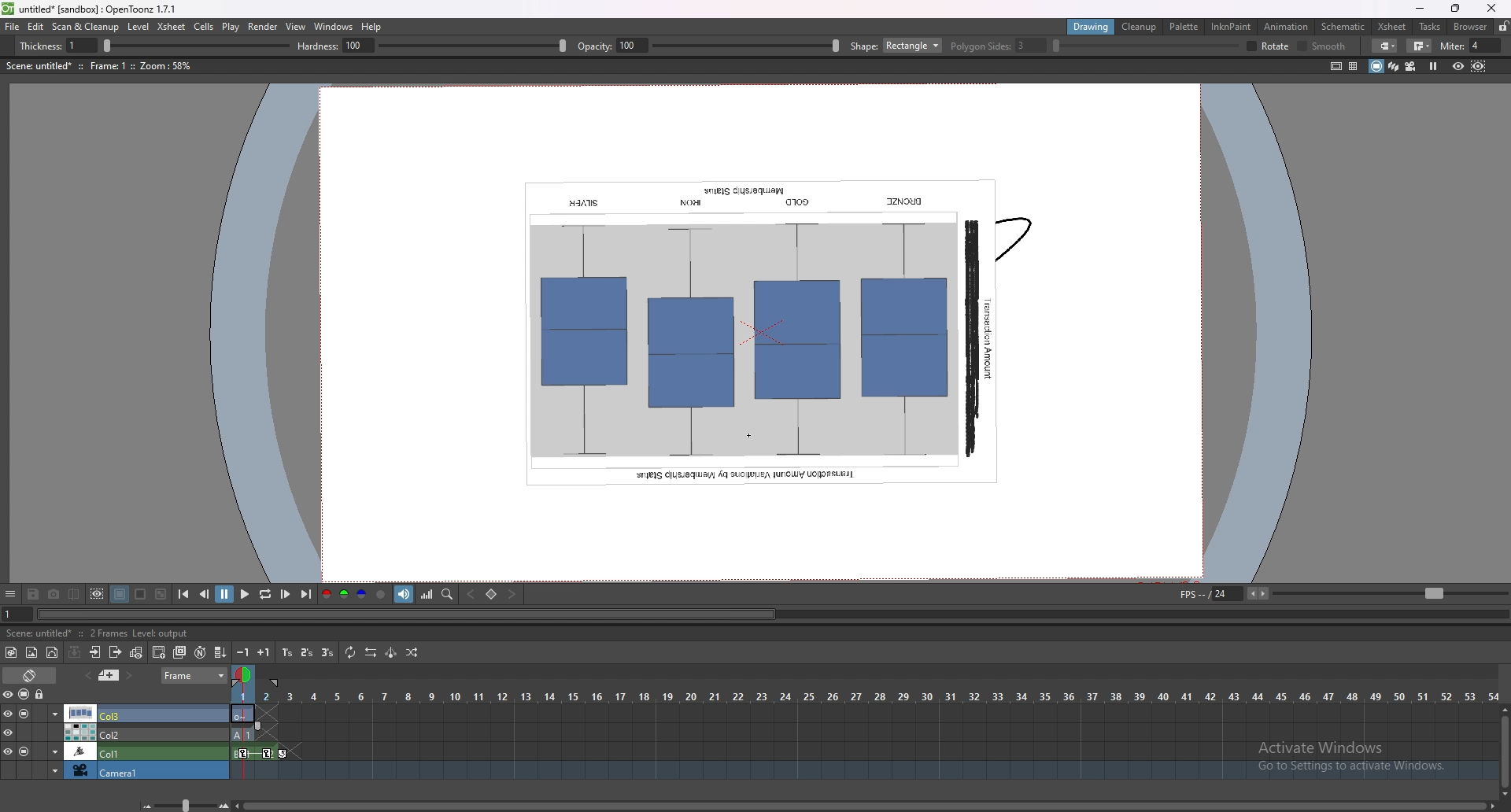  I want to click on pause, so click(224, 594).